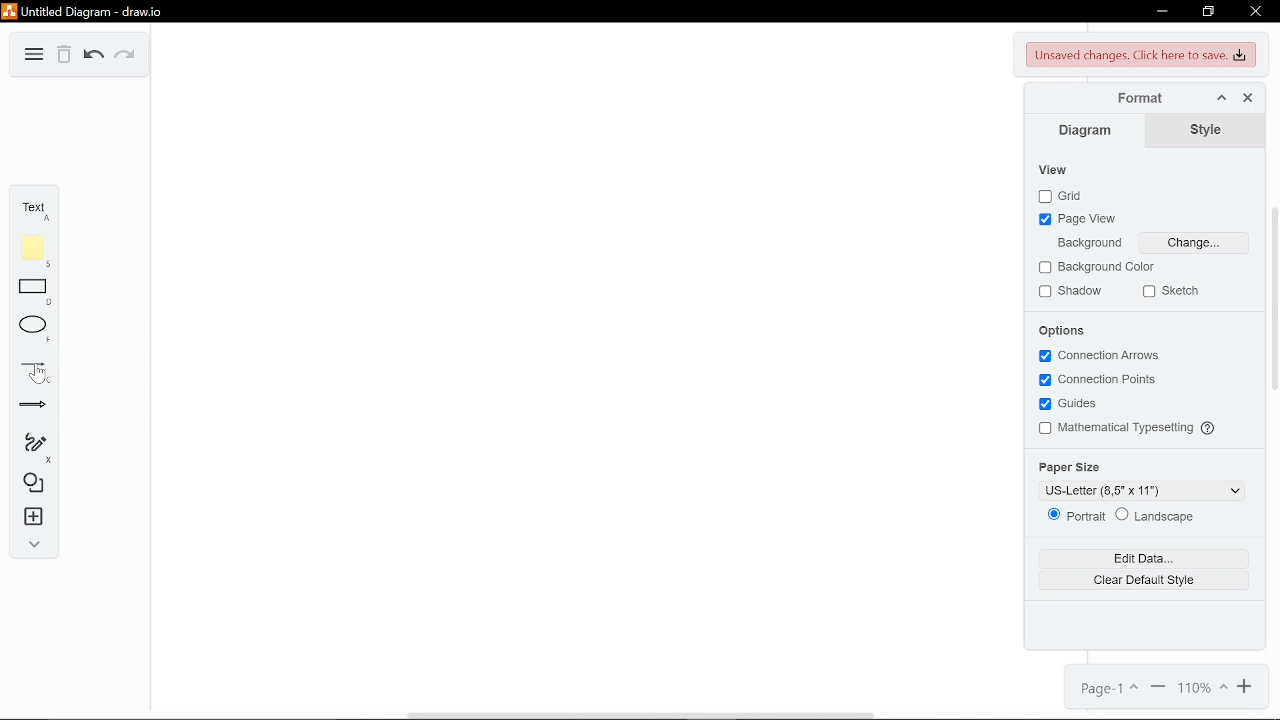  What do you see at coordinates (1104, 267) in the screenshot?
I see `Background color` at bounding box center [1104, 267].